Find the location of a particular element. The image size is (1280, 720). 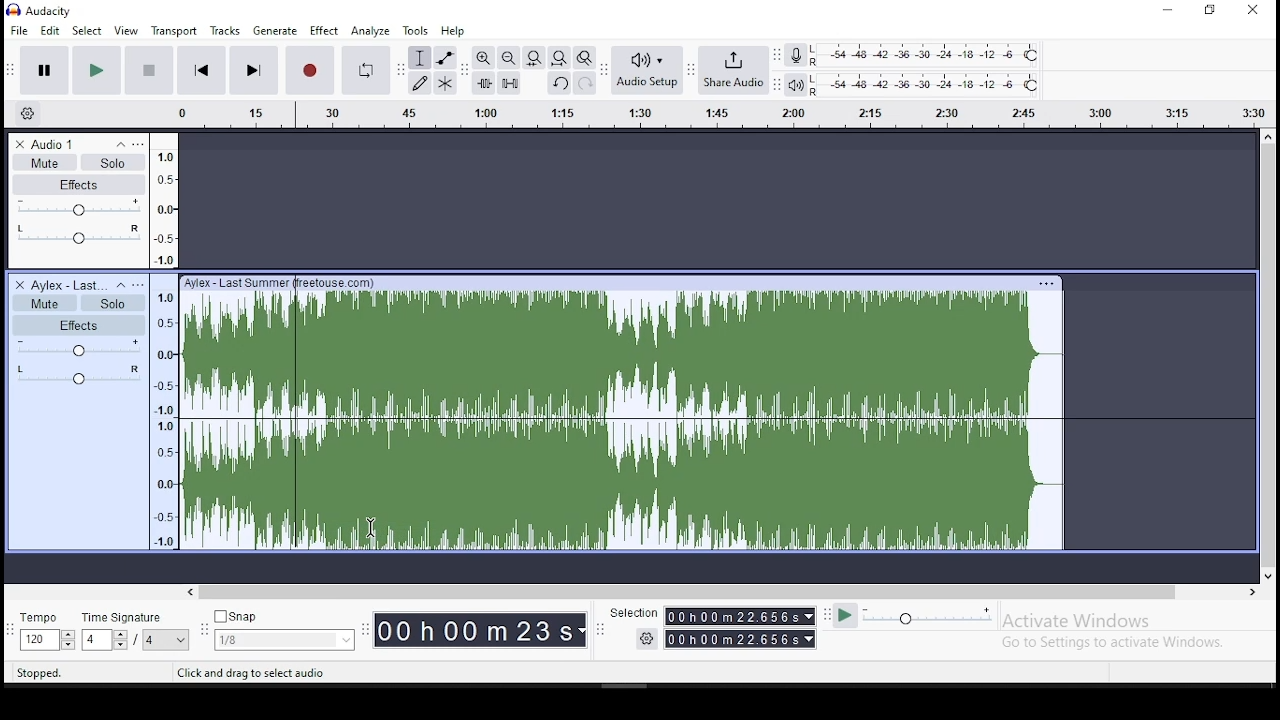

R is located at coordinates (818, 92).